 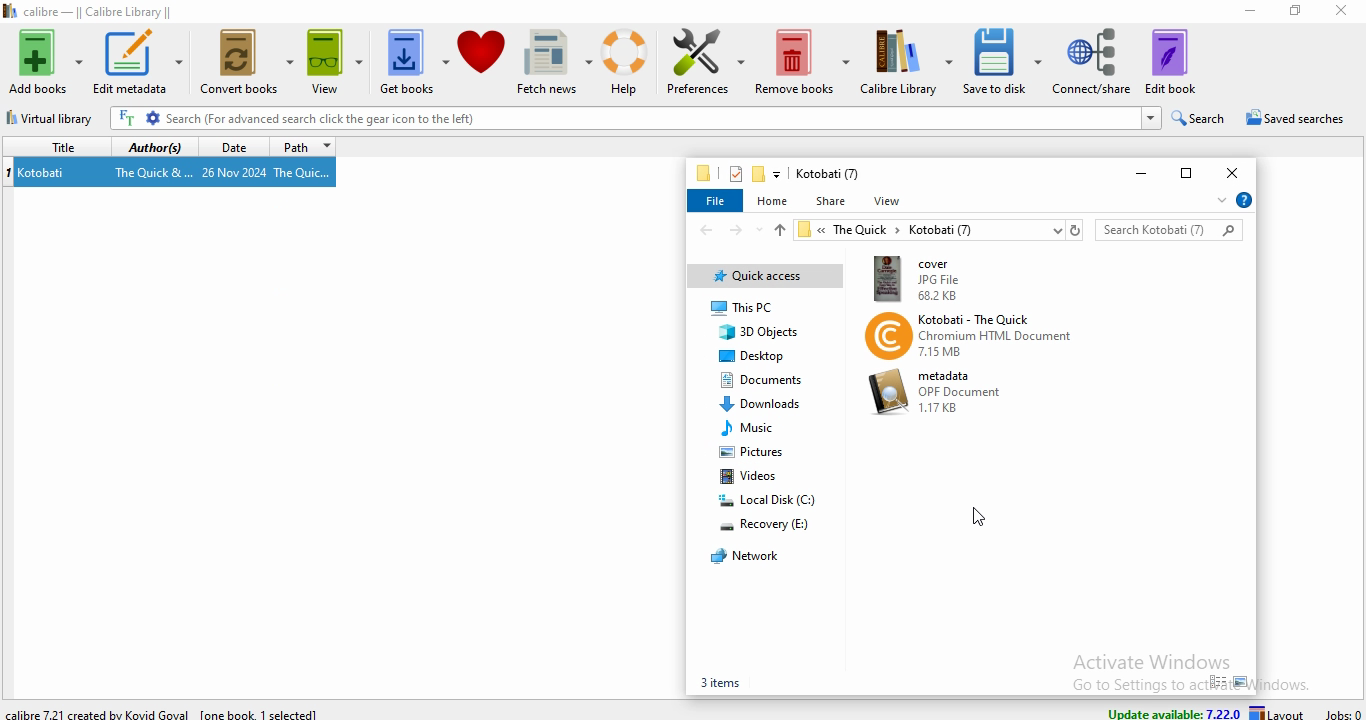 What do you see at coordinates (753, 477) in the screenshot?
I see `videos` at bounding box center [753, 477].